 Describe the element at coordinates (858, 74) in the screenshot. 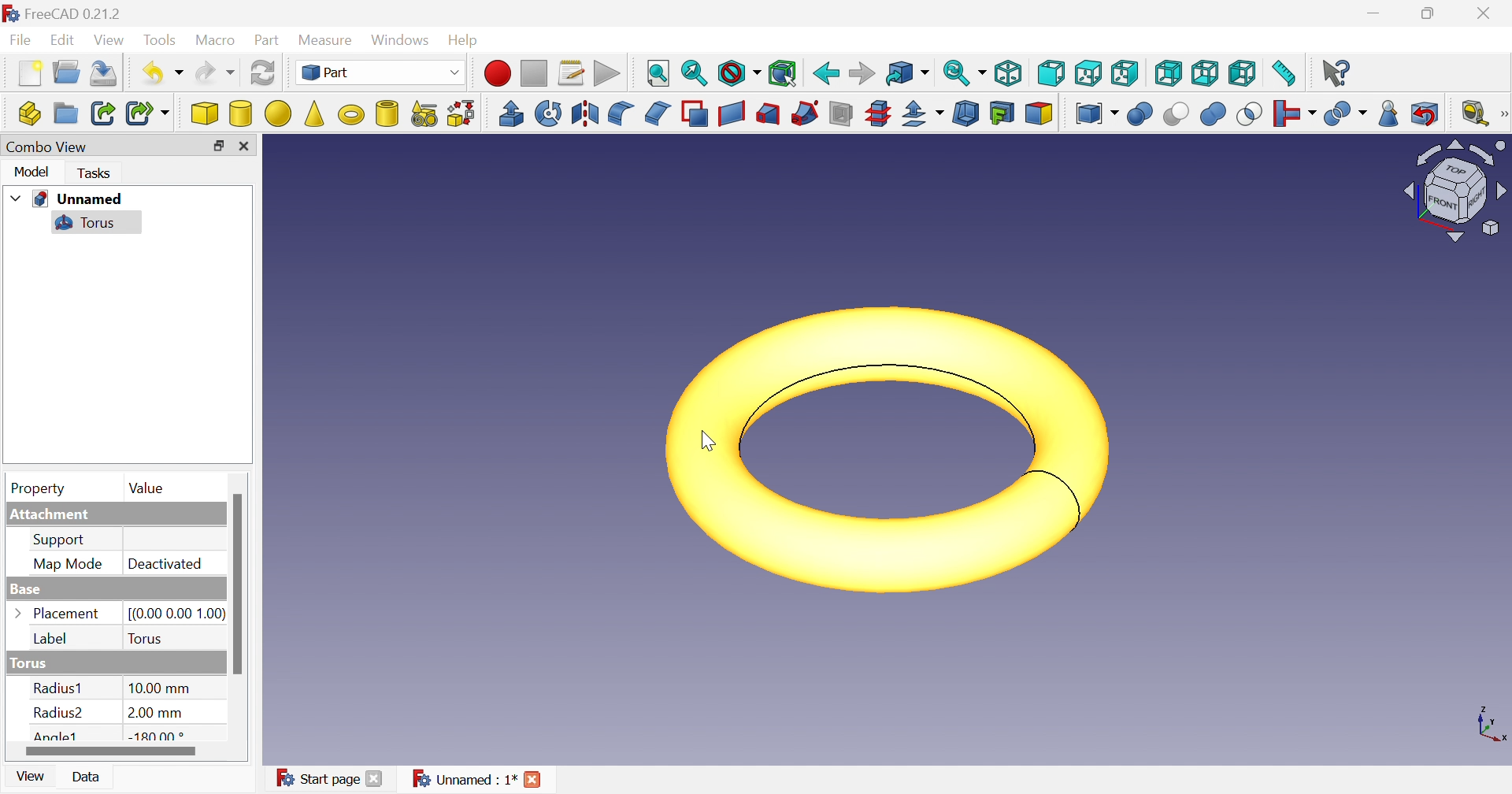

I see `Forward` at that location.